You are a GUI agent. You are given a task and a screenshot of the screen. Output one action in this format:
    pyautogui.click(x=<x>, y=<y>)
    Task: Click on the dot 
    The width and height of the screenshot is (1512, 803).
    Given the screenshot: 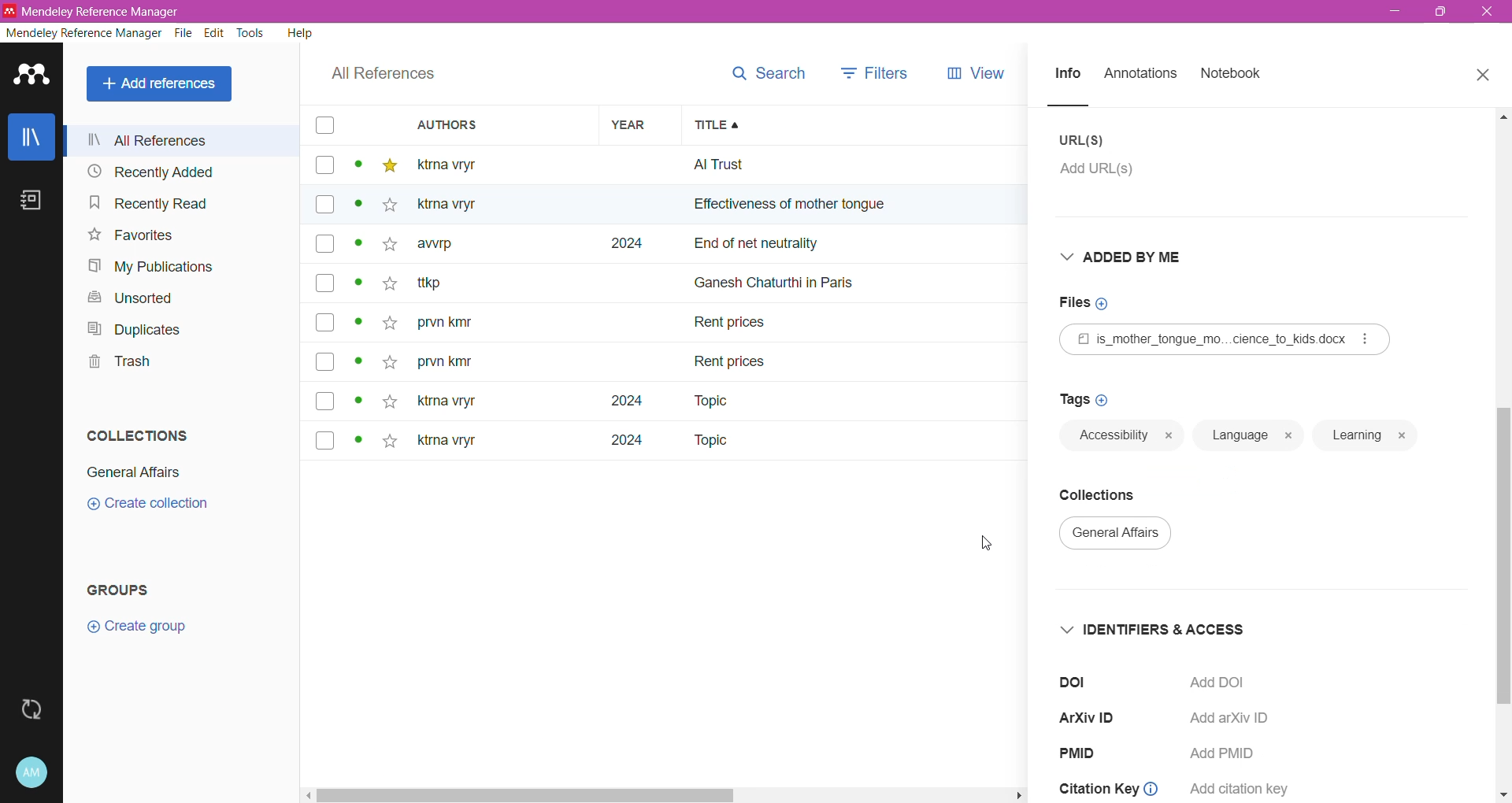 What is the action you would take?
    pyautogui.click(x=360, y=287)
    